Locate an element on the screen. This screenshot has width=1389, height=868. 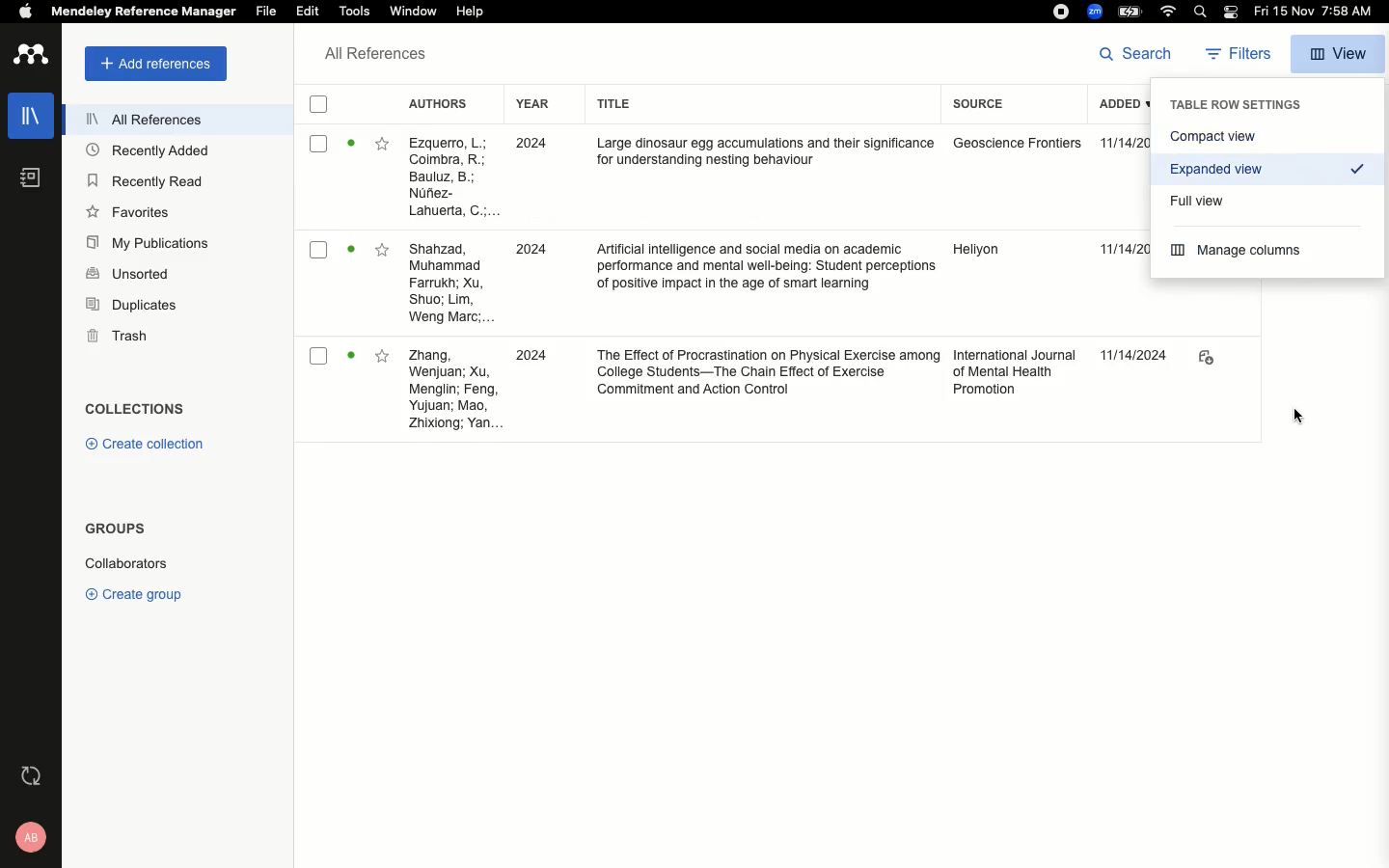
Manage columns is located at coordinates (1240, 251).